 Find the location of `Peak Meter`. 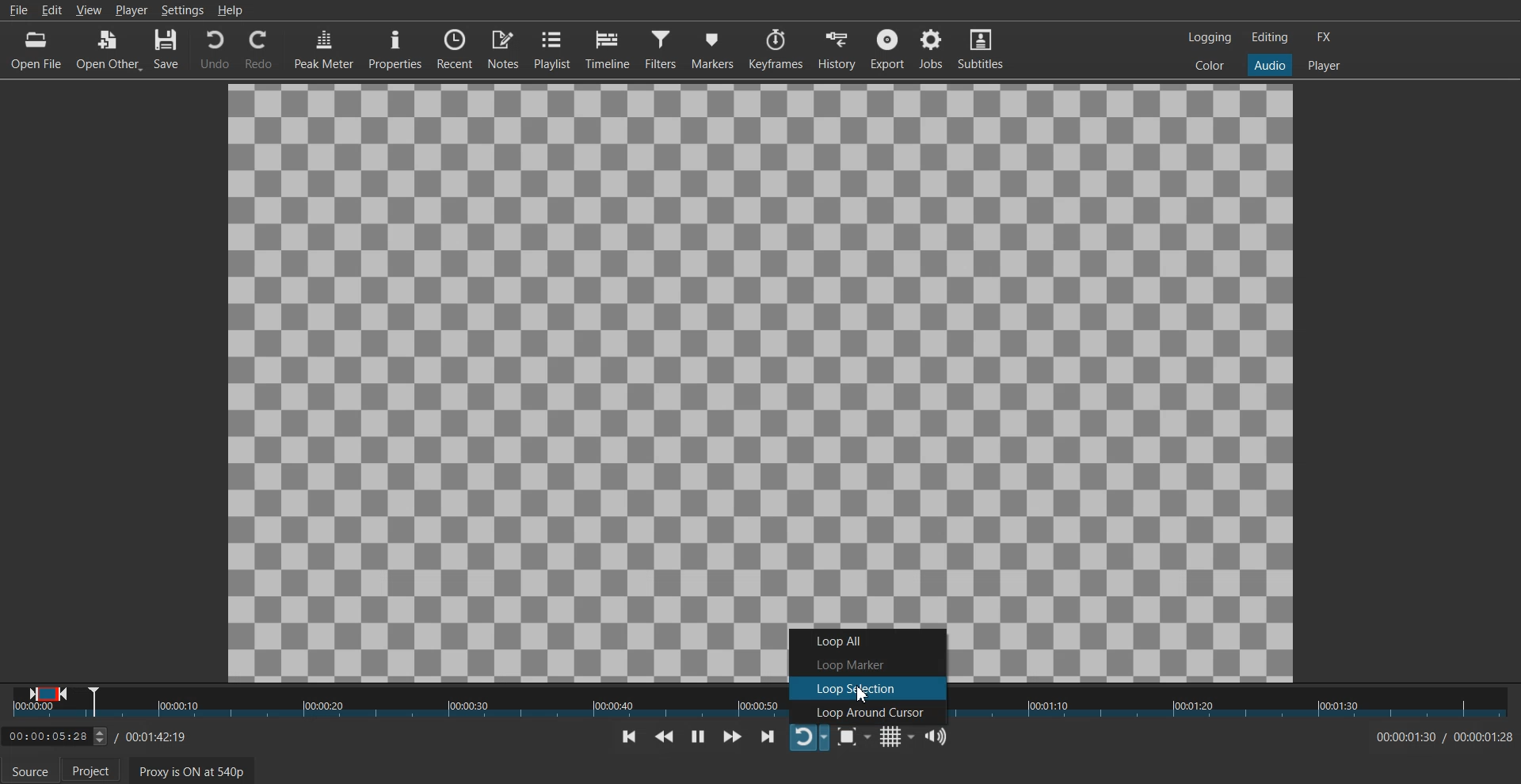

Peak Meter is located at coordinates (322, 48).